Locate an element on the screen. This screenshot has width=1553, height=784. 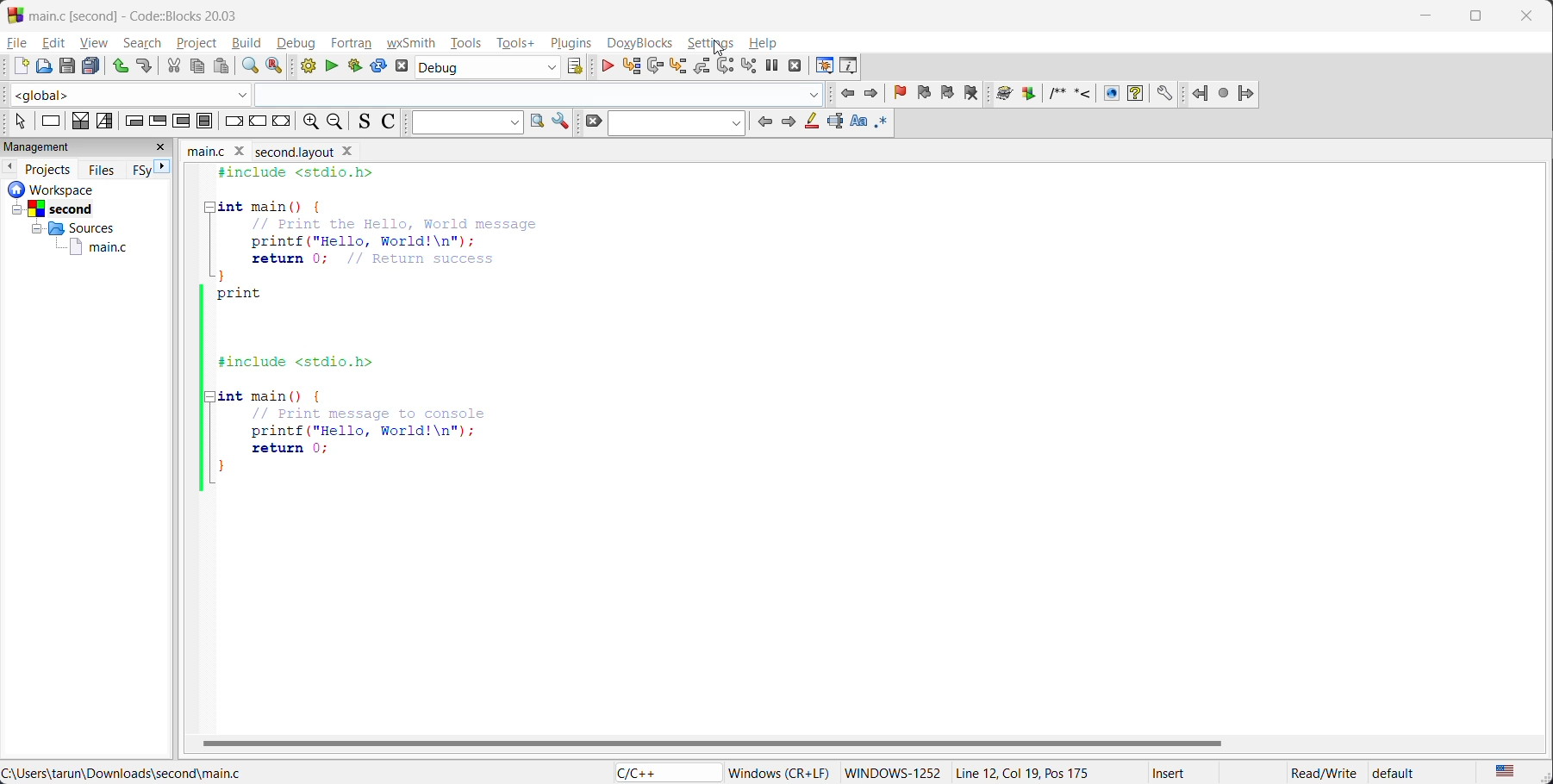
undo is located at coordinates (120, 65).